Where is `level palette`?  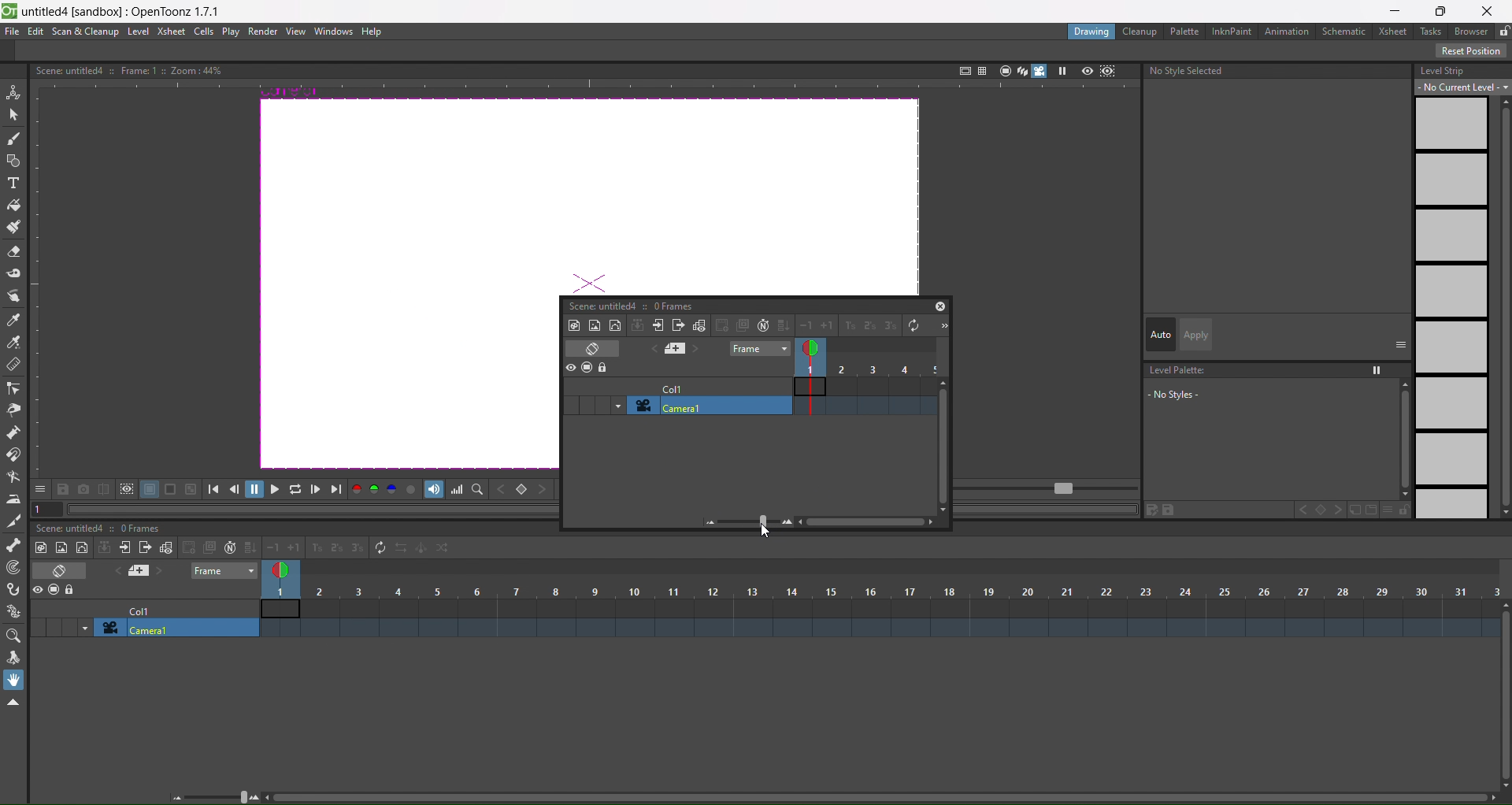
level palette is located at coordinates (1274, 395).